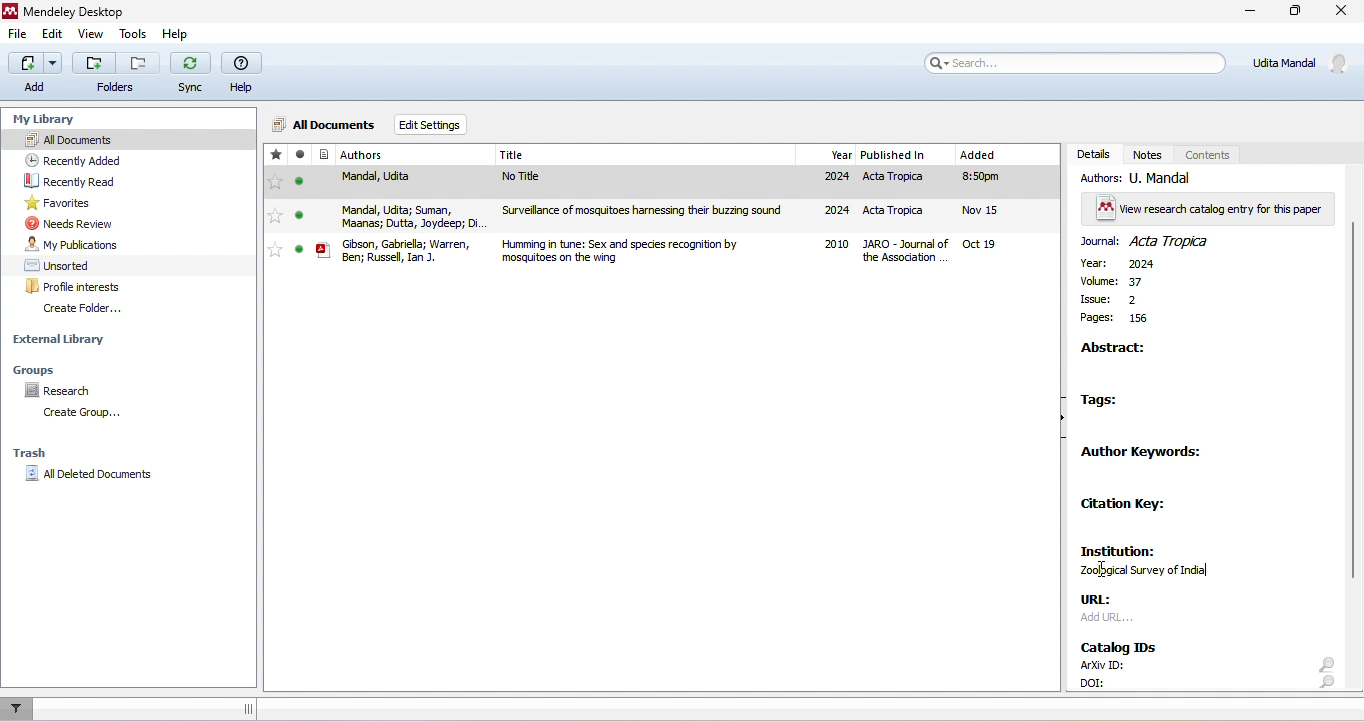 The height and width of the screenshot is (722, 1364). Describe the element at coordinates (62, 339) in the screenshot. I see `external library` at that location.